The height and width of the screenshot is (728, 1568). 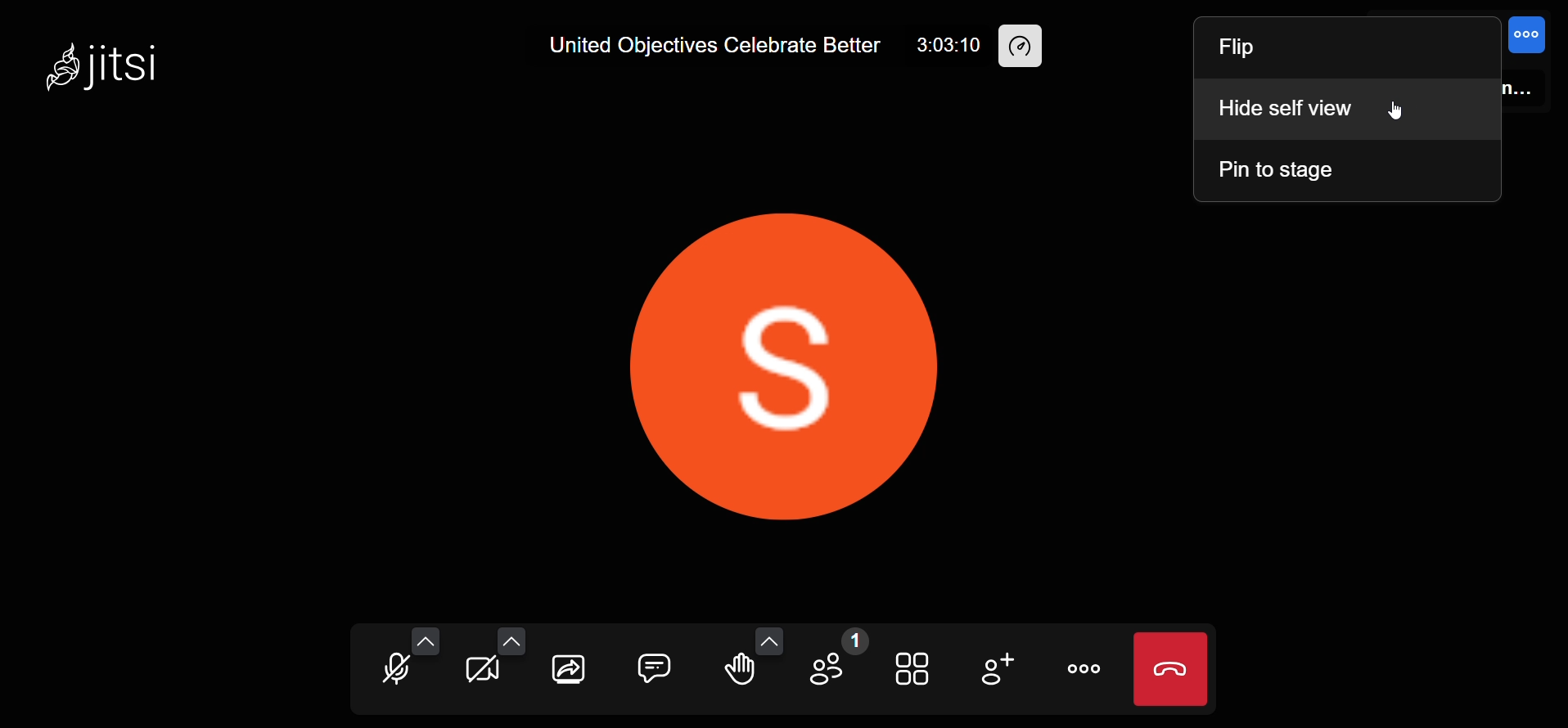 I want to click on flip, so click(x=1240, y=52).